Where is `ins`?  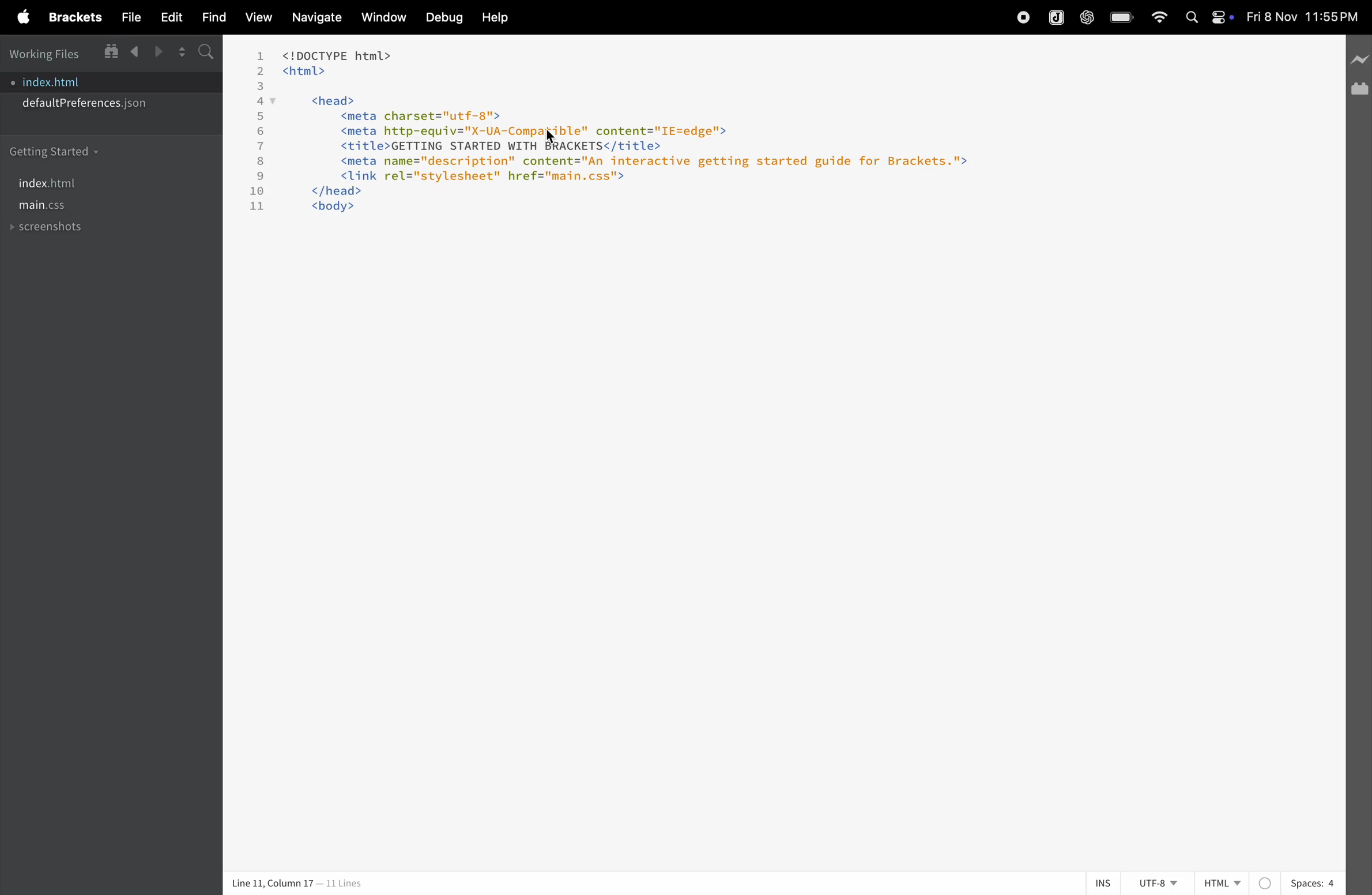 ins is located at coordinates (1105, 883).